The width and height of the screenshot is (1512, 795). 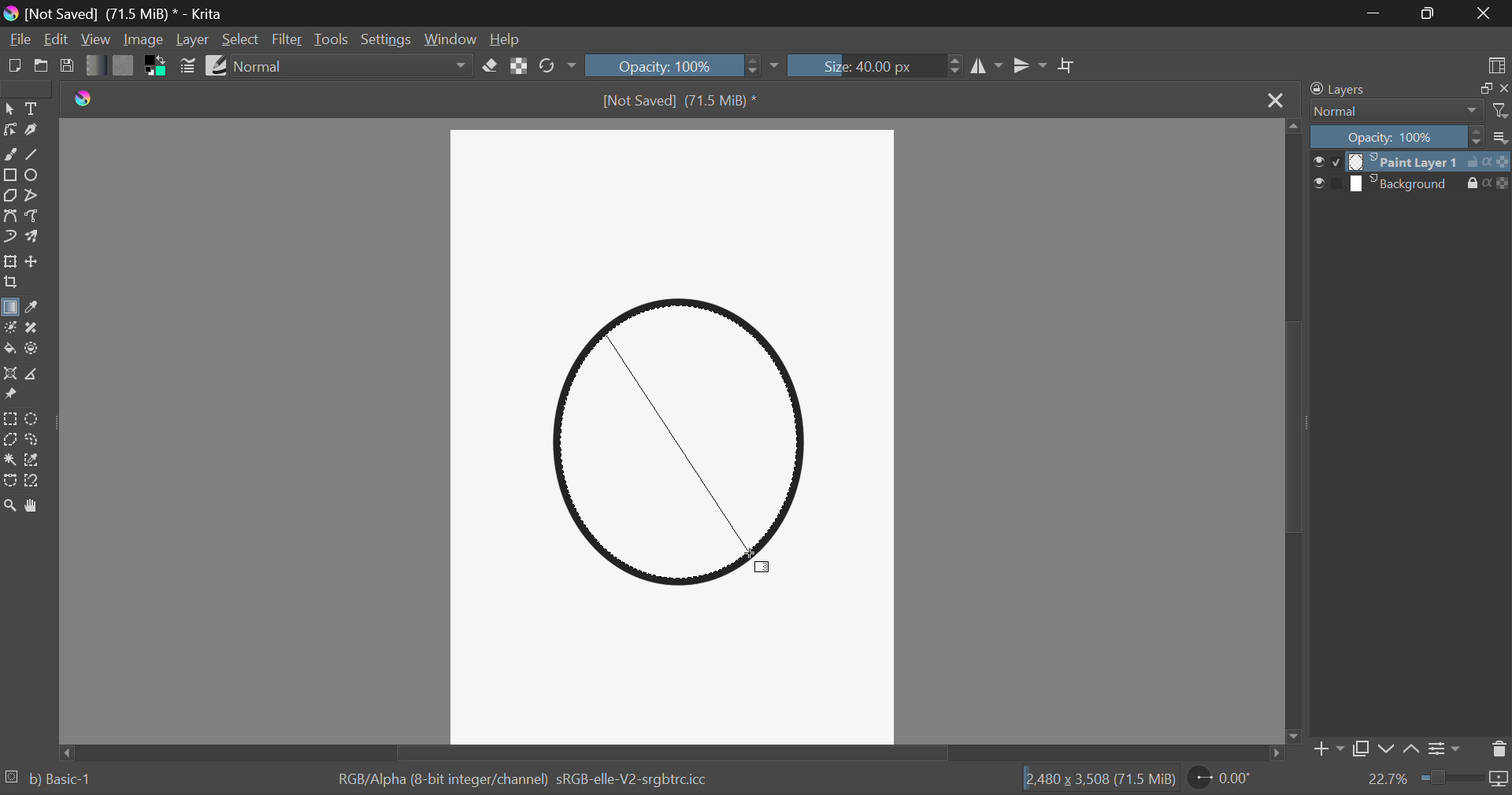 I want to click on Gradient, so click(x=99, y=68).